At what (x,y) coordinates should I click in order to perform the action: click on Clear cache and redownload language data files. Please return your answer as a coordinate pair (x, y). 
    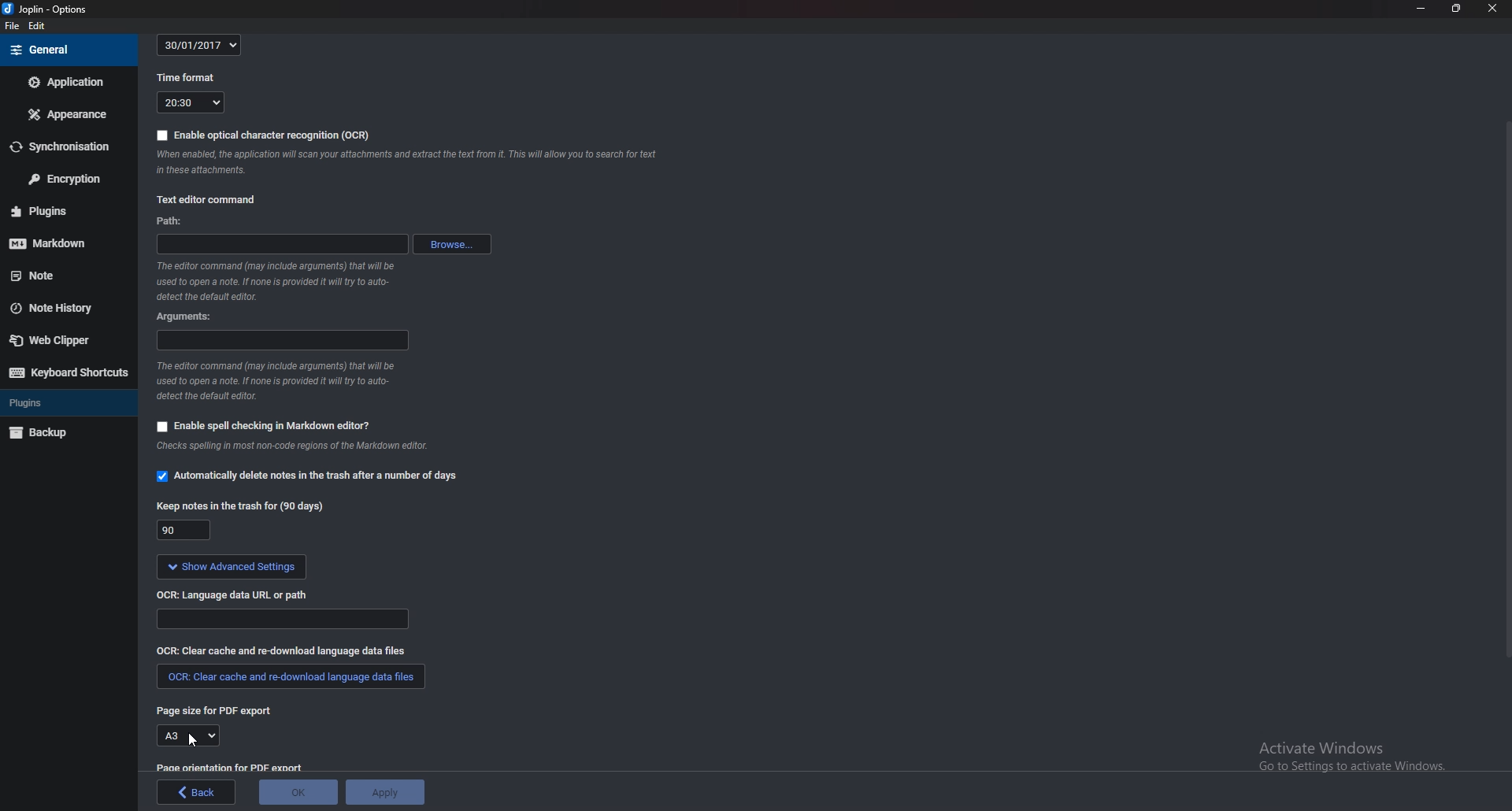
    Looking at the image, I should click on (288, 678).